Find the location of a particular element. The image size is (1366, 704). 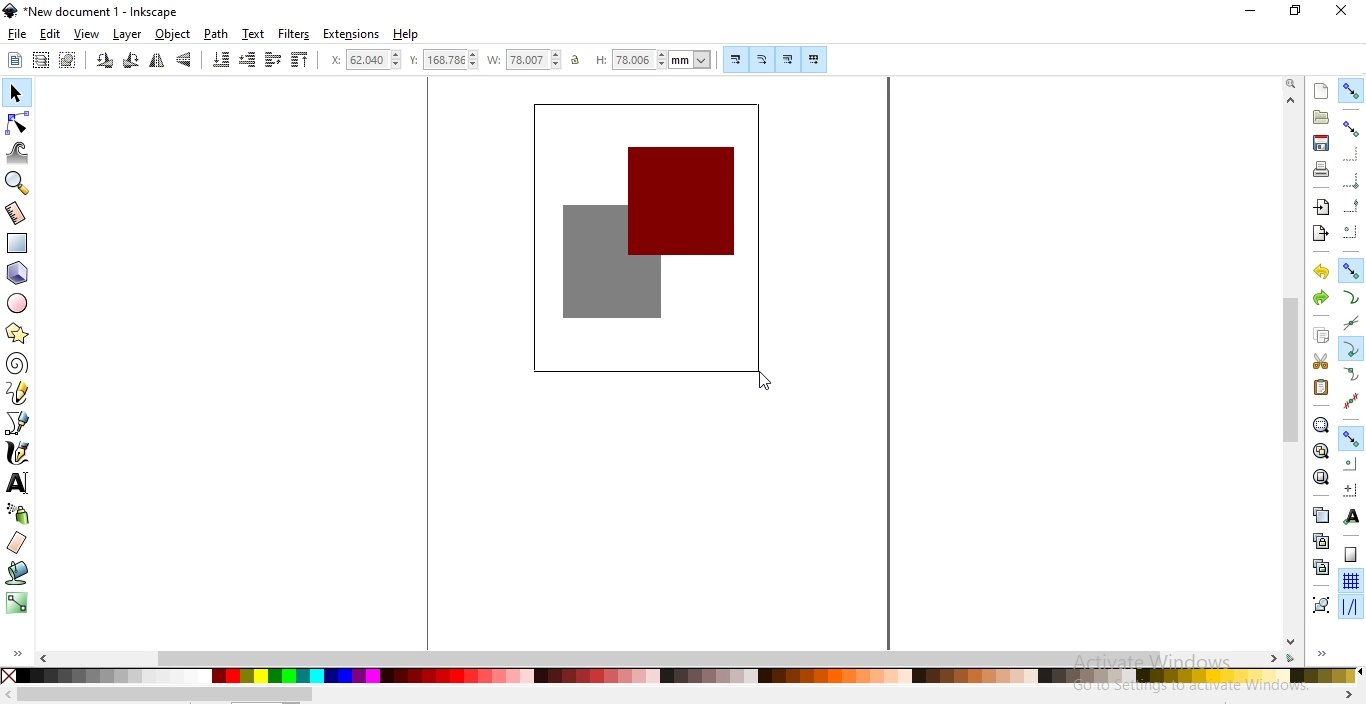

zoom is located at coordinates (1291, 84).